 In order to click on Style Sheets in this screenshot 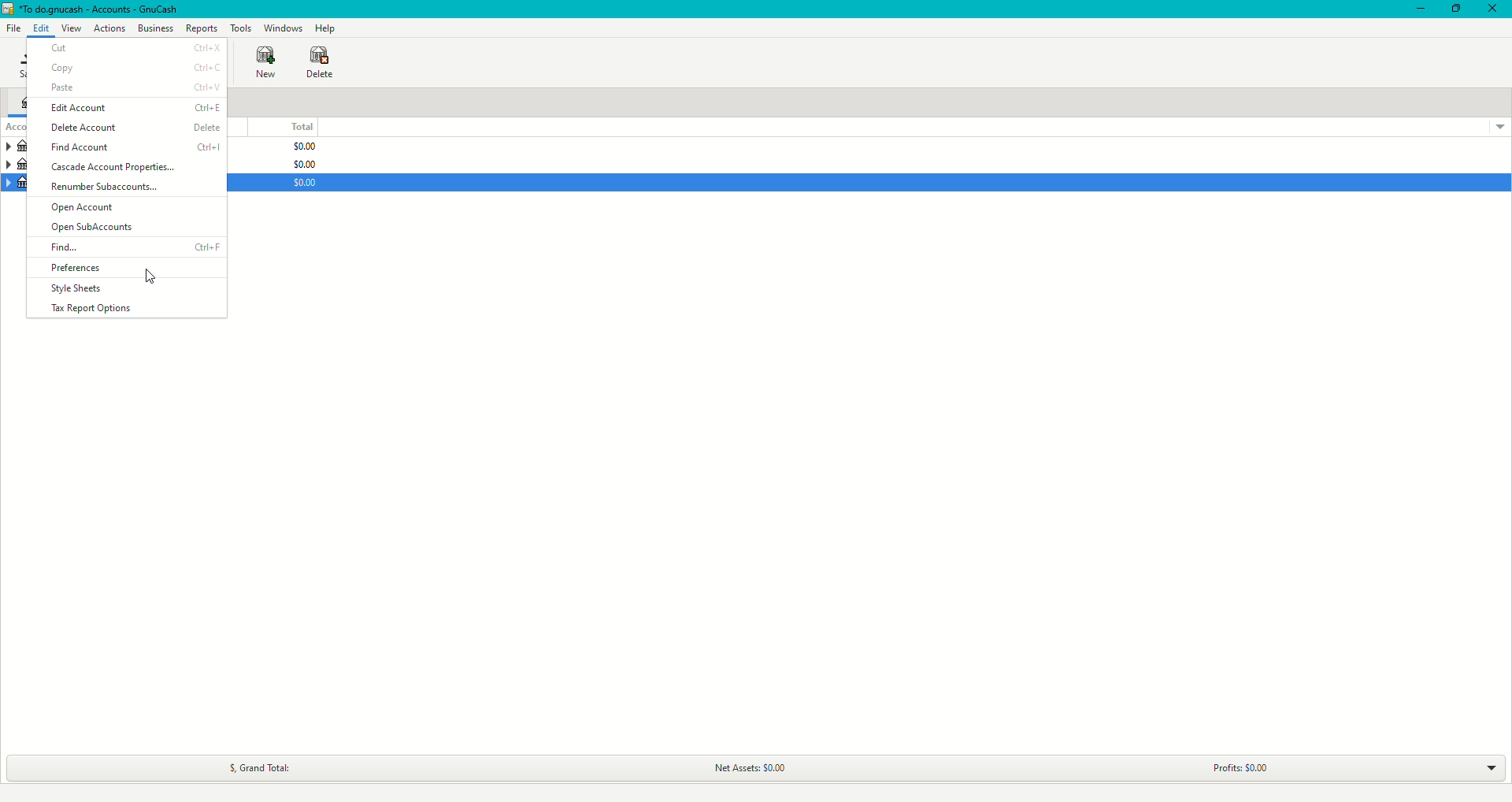, I will do `click(78, 289)`.